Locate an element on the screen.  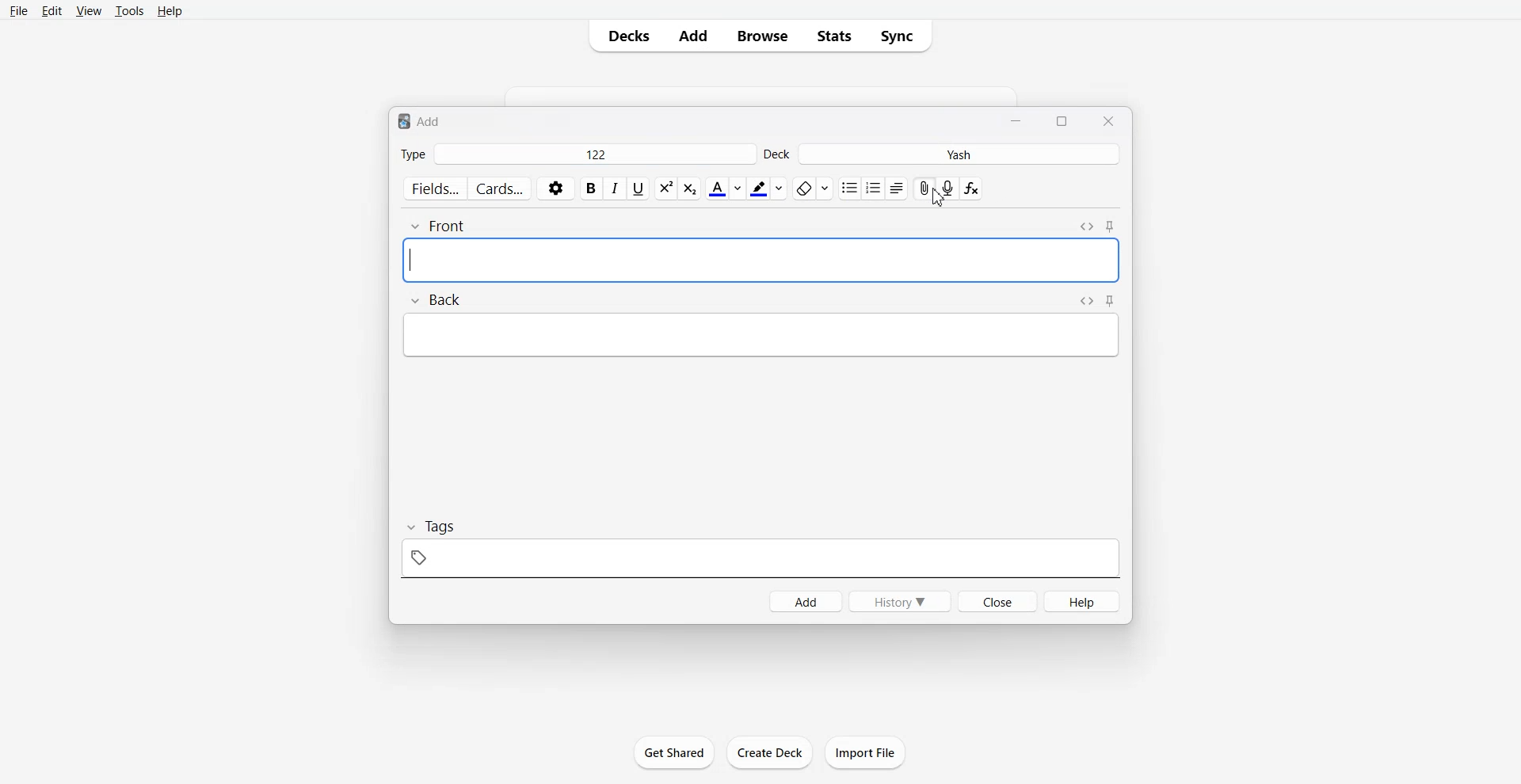
Add is located at coordinates (803, 601).